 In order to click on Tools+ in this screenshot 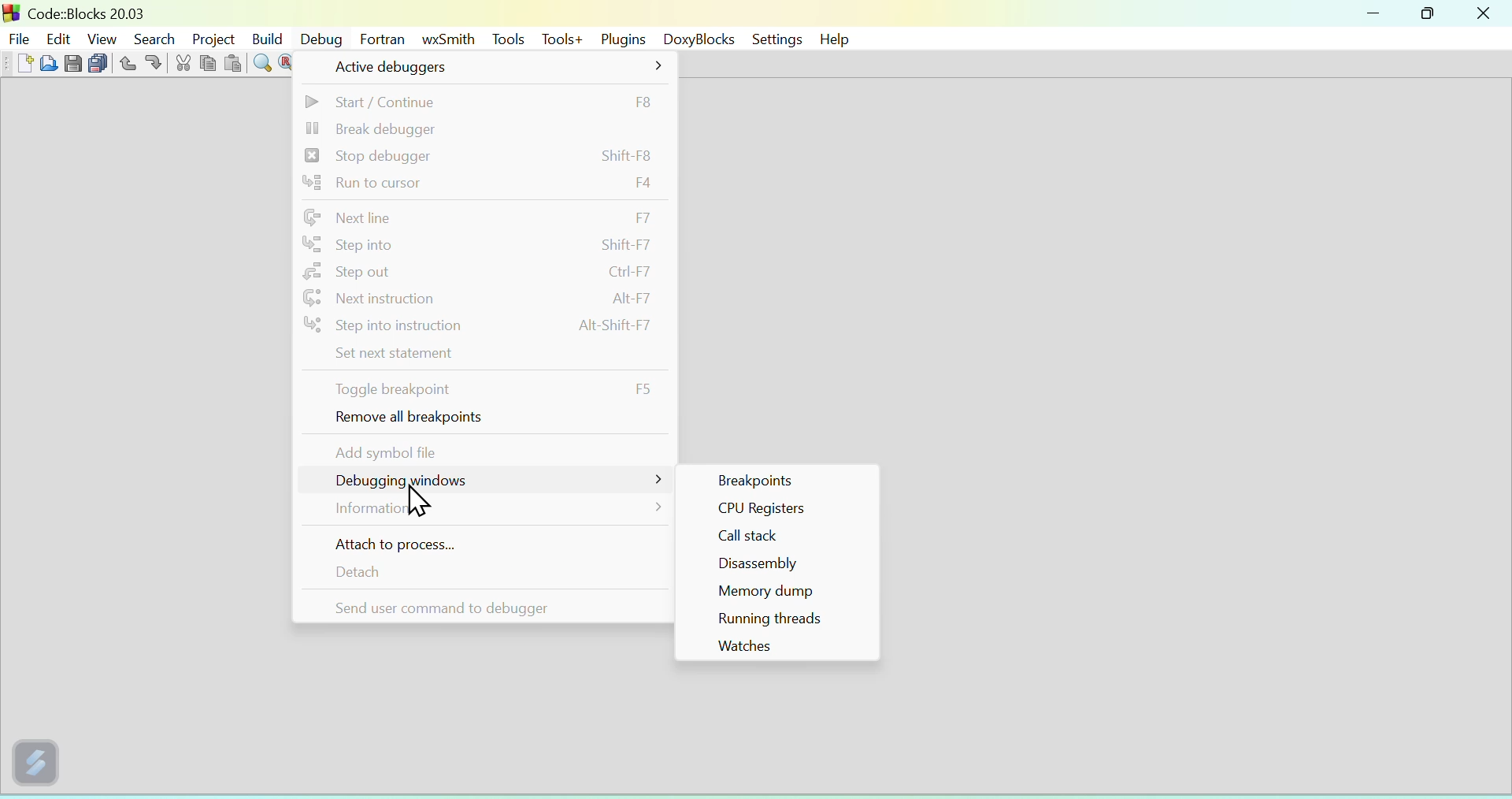, I will do `click(558, 38)`.